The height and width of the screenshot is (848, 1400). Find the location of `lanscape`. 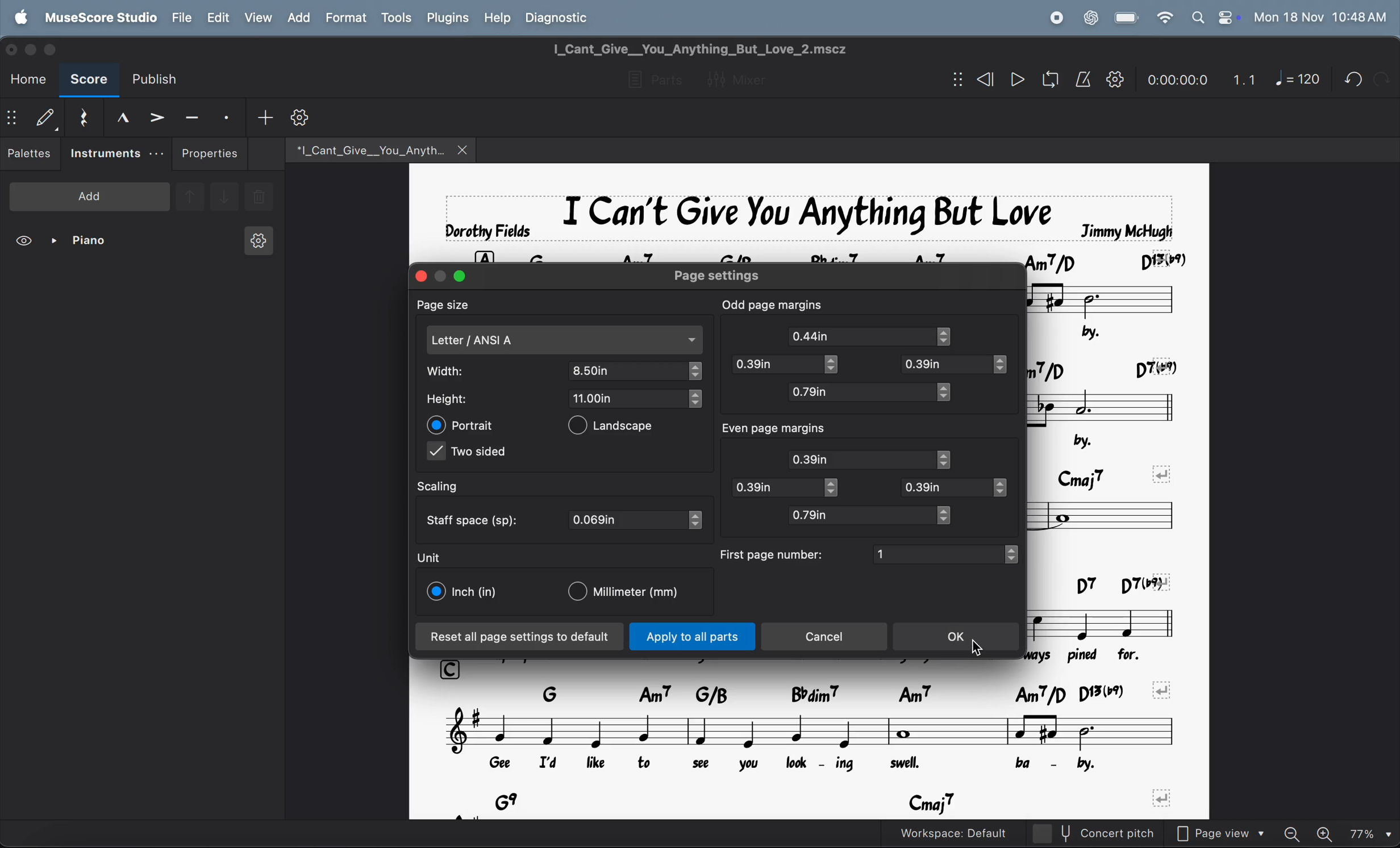

lanscape is located at coordinates (620, 428).